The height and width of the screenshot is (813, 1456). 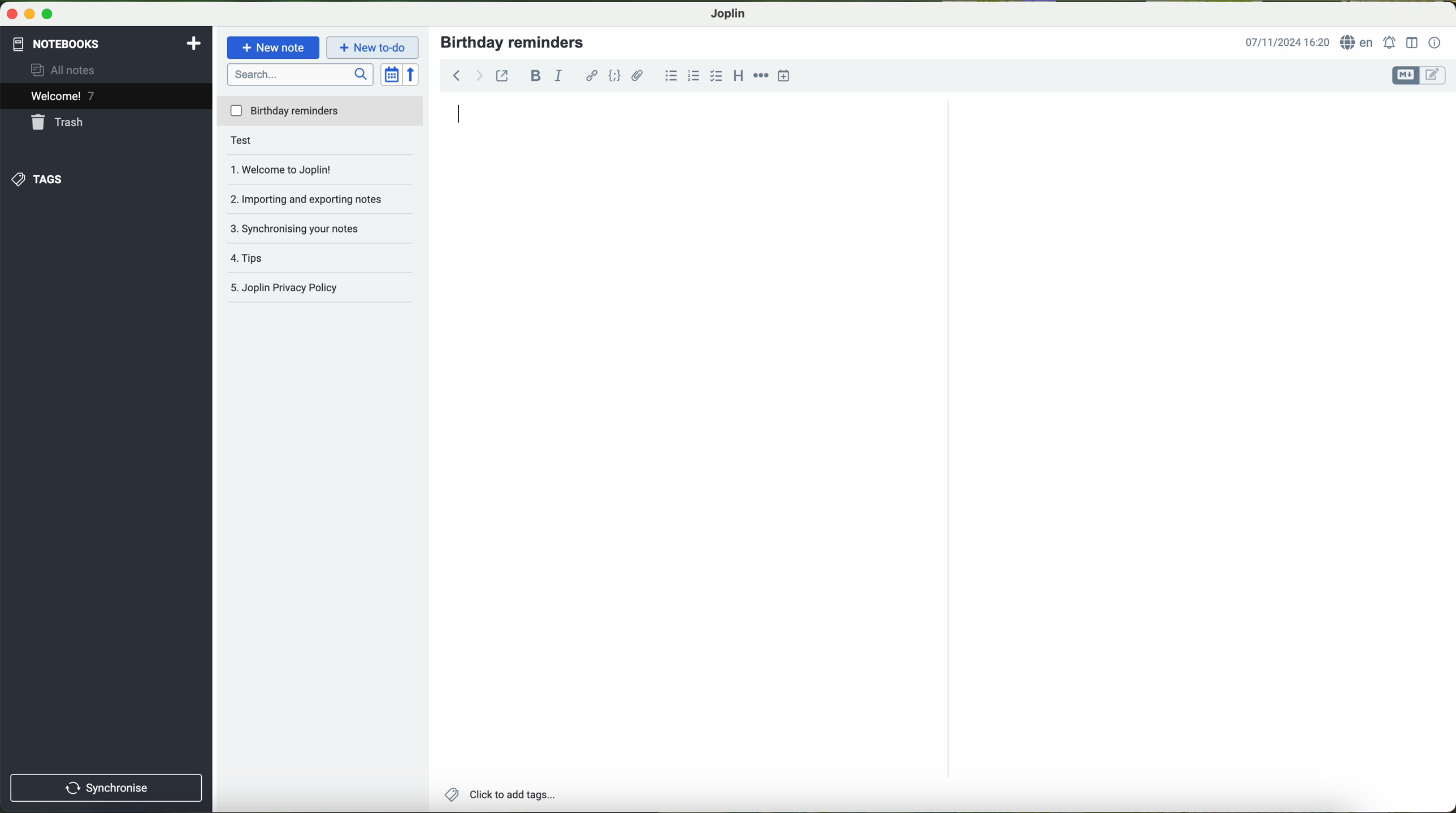 I want to click on attach file, so click(x=637, y=76).